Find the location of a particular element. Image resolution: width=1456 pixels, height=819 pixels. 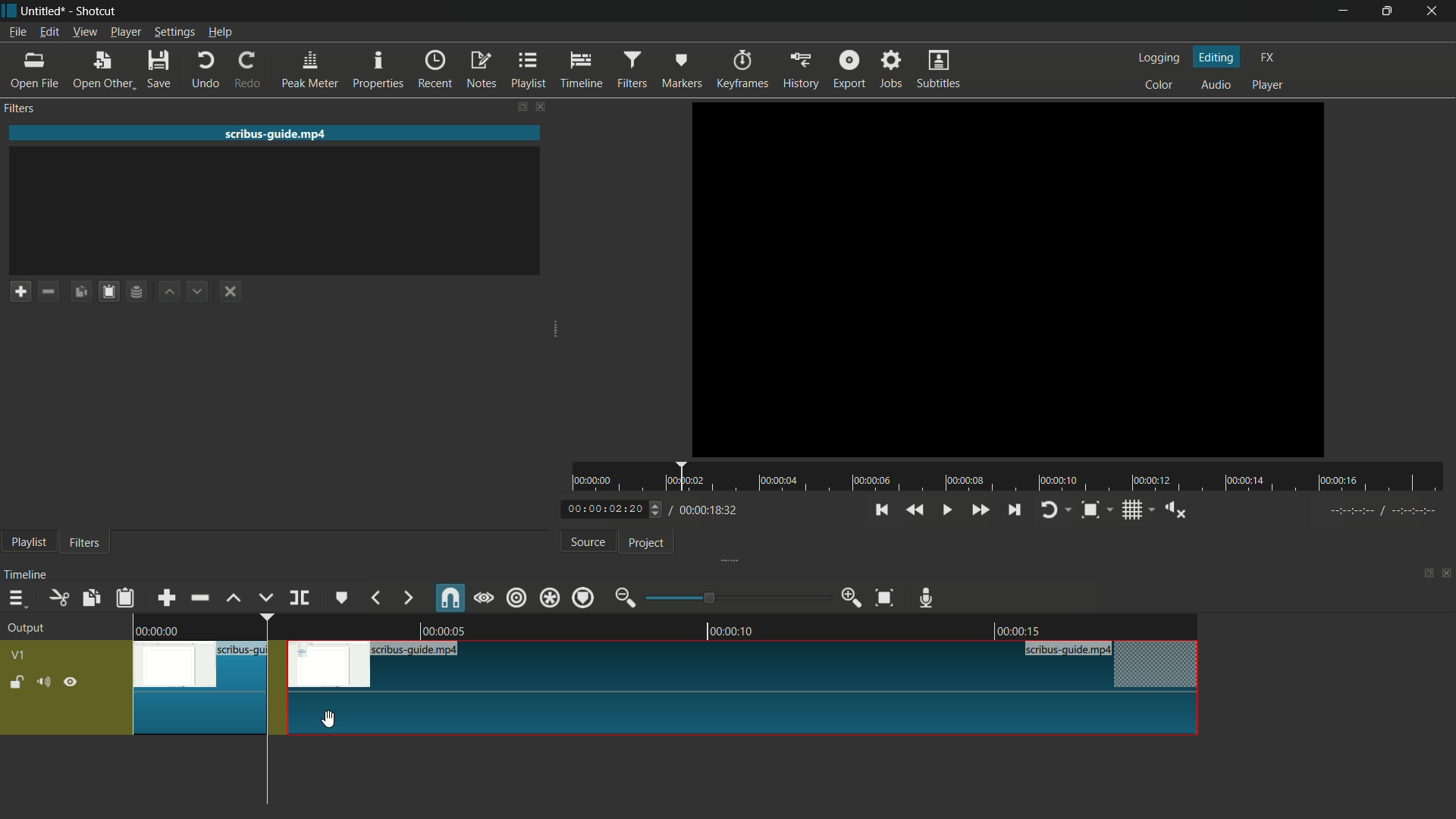

open other is located at coordinates (103, 70).